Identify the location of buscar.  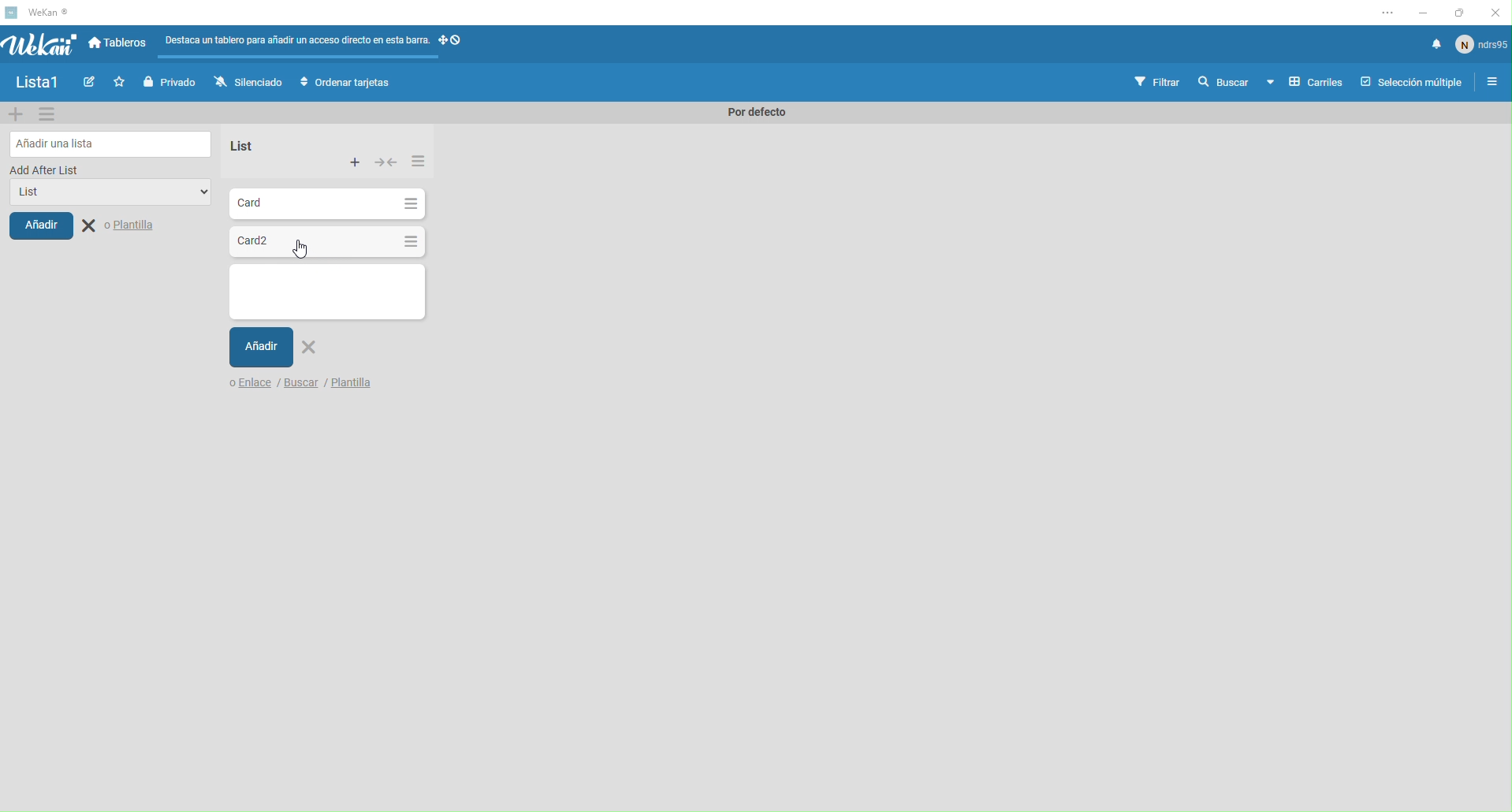
(1222, 83).